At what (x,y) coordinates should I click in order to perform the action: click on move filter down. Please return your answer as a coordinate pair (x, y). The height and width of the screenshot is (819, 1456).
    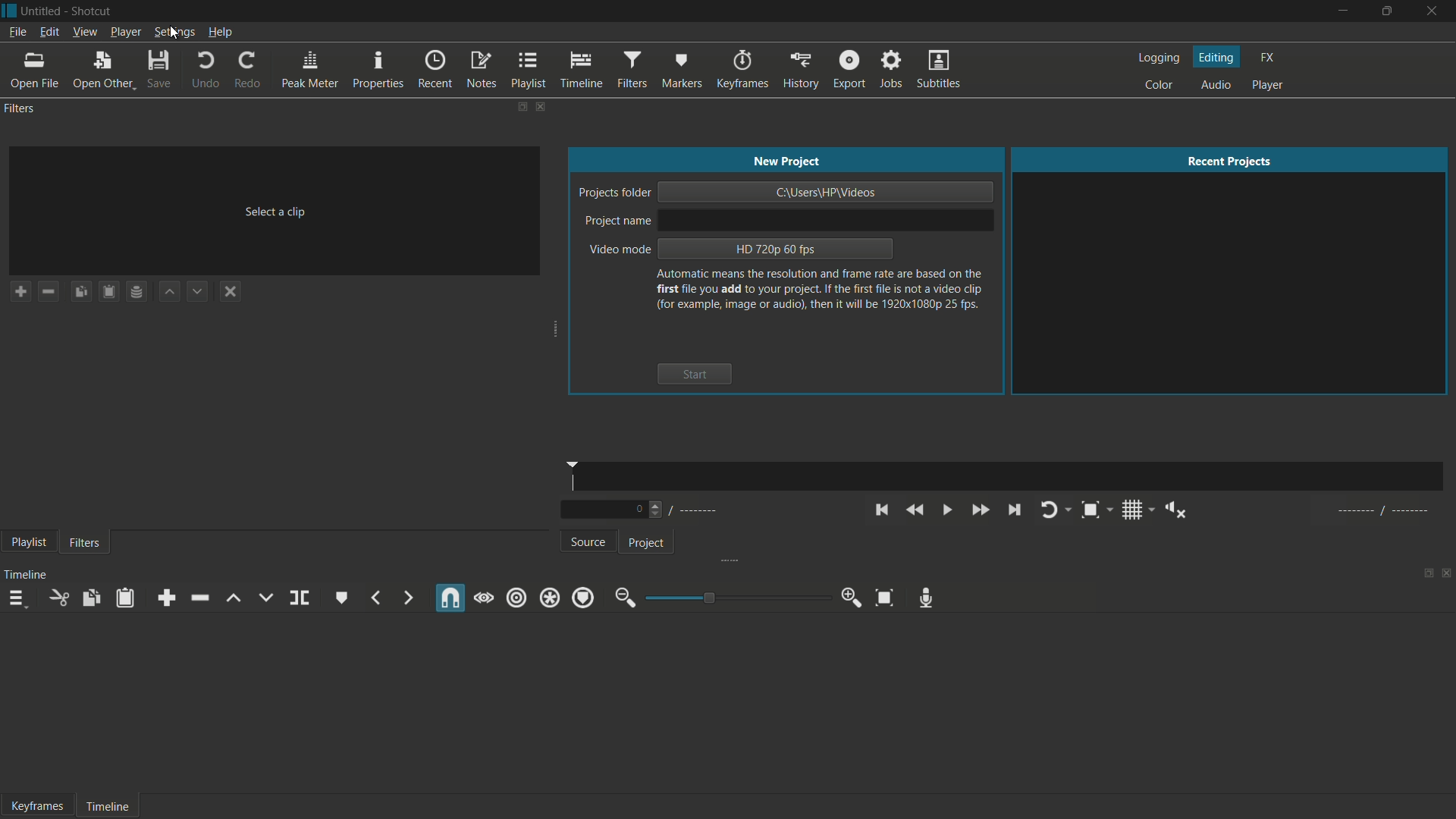
    Looking at the image, I should click on (199, 292).